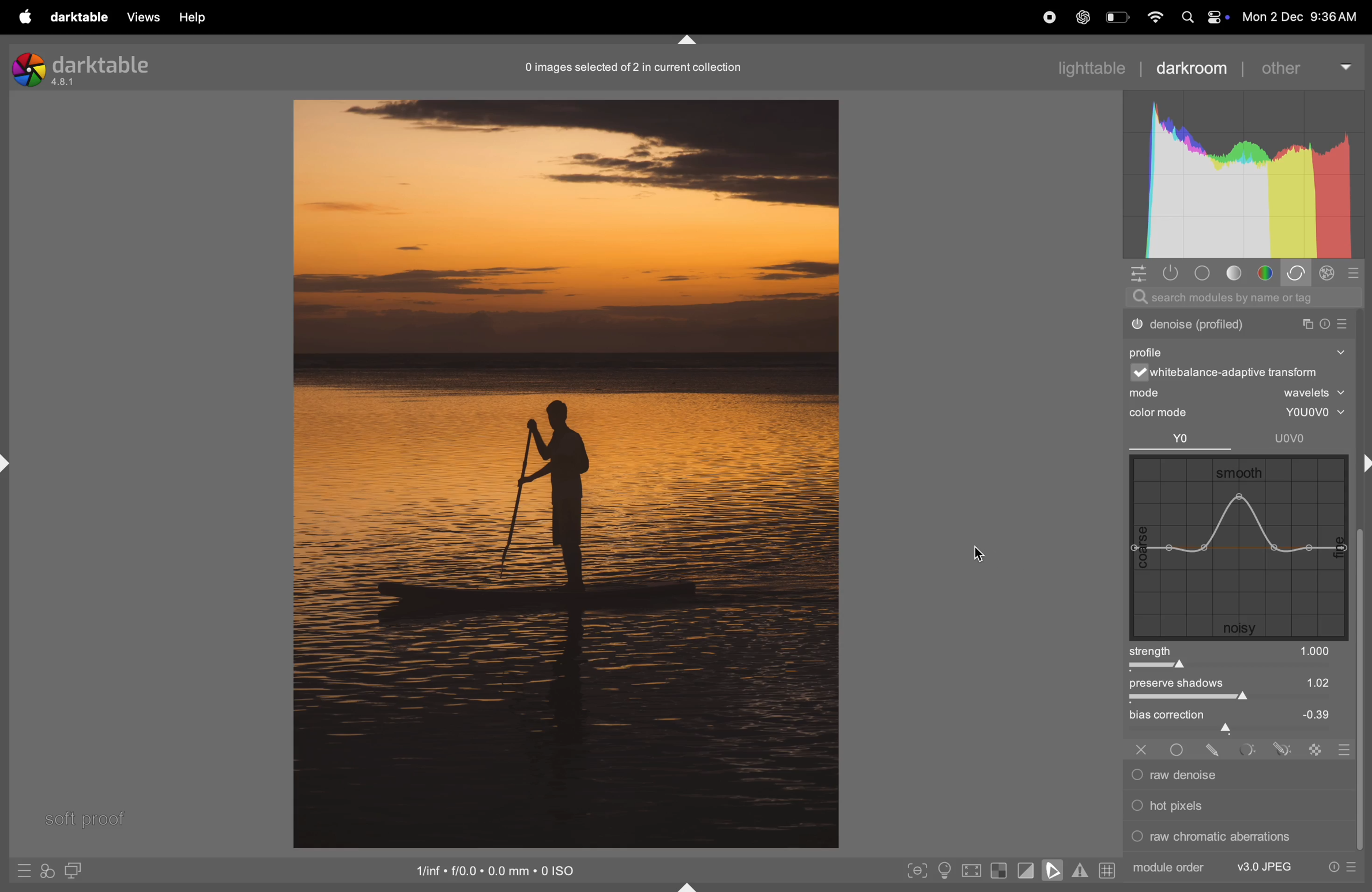 The width and height of the screenshot is (1372, 892). What do you see at coordinates (1362, 691) in the screenshot?
I see `task bar` at bounding box center [1362, 691].